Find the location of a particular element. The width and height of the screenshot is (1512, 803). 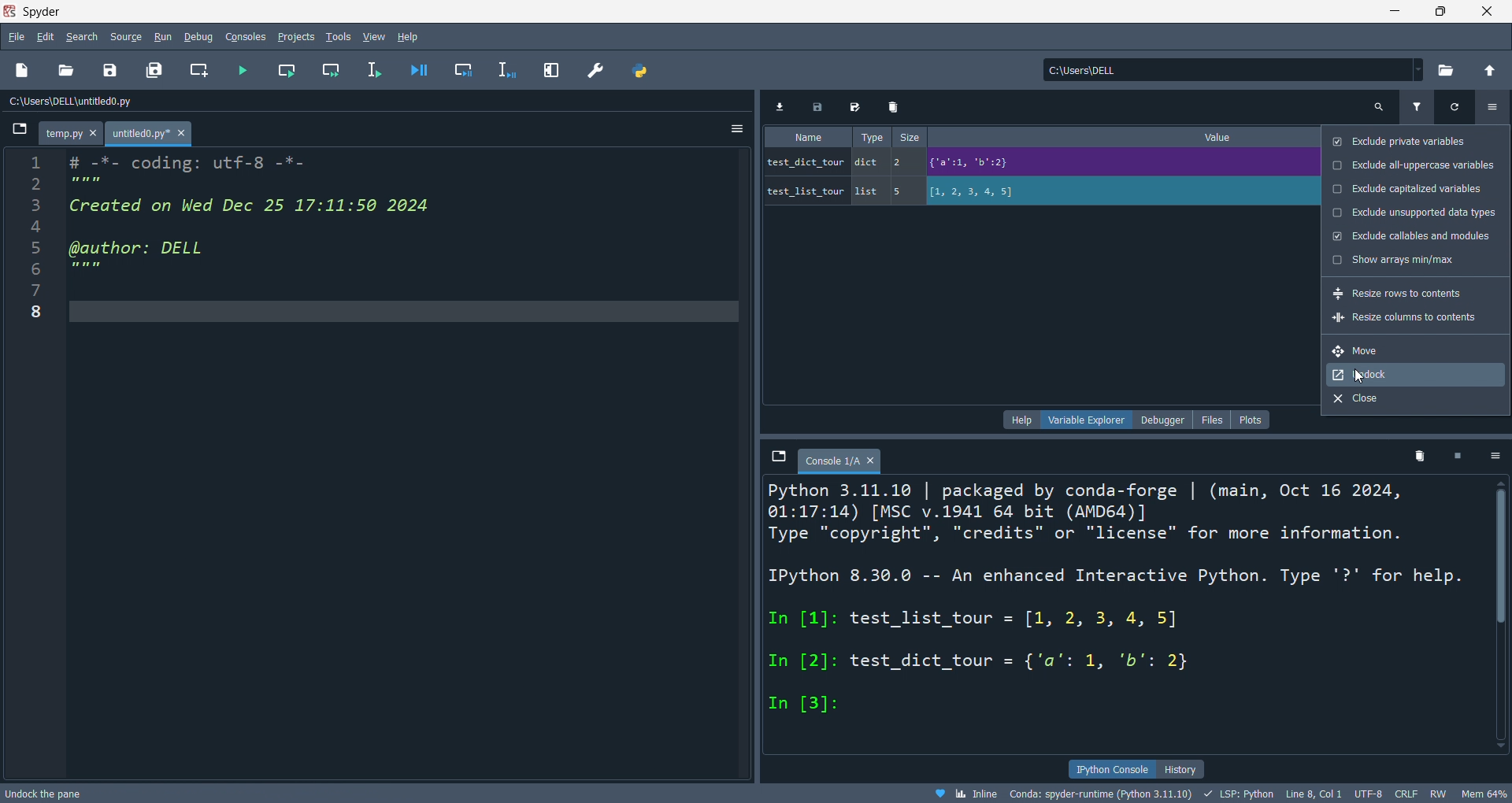

SPYDER is located at coordinates (46, 11).